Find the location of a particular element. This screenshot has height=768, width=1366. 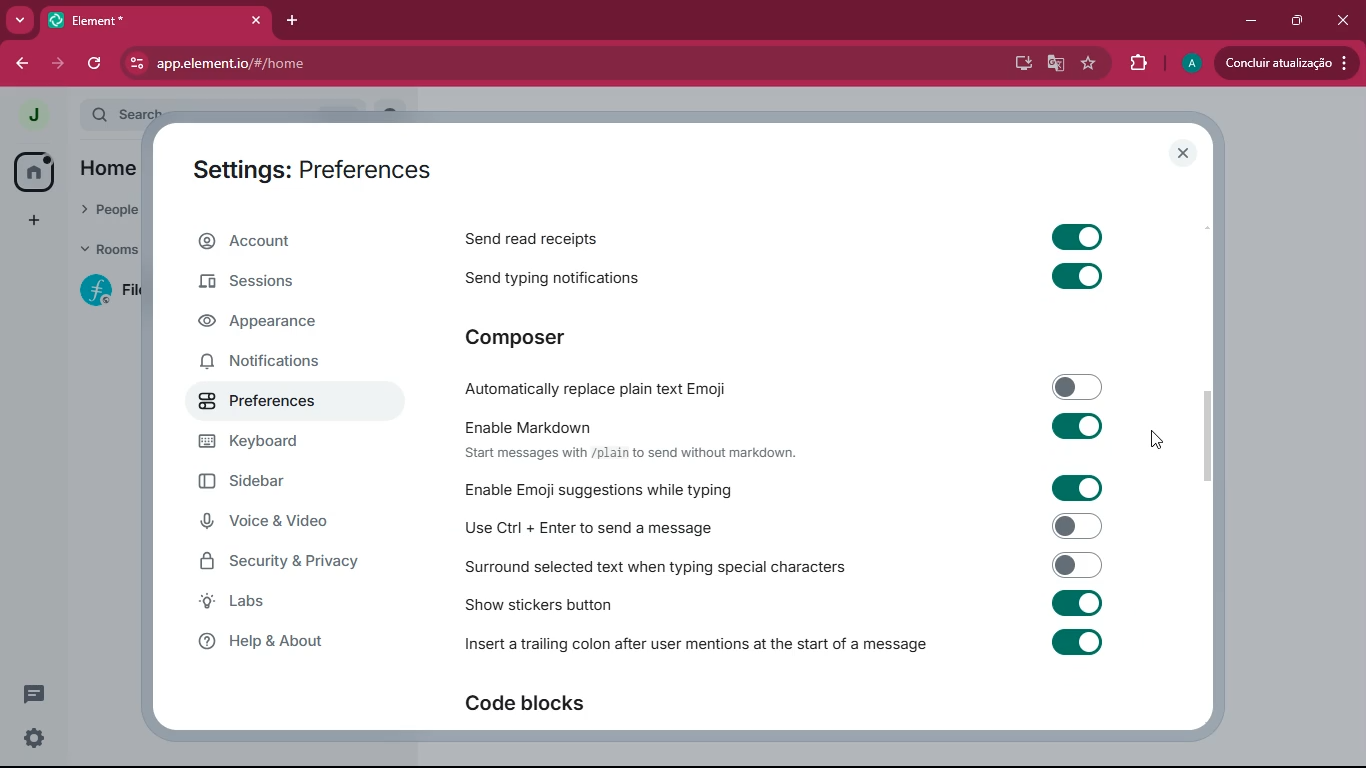

forward is located at coordinates (60, 61).